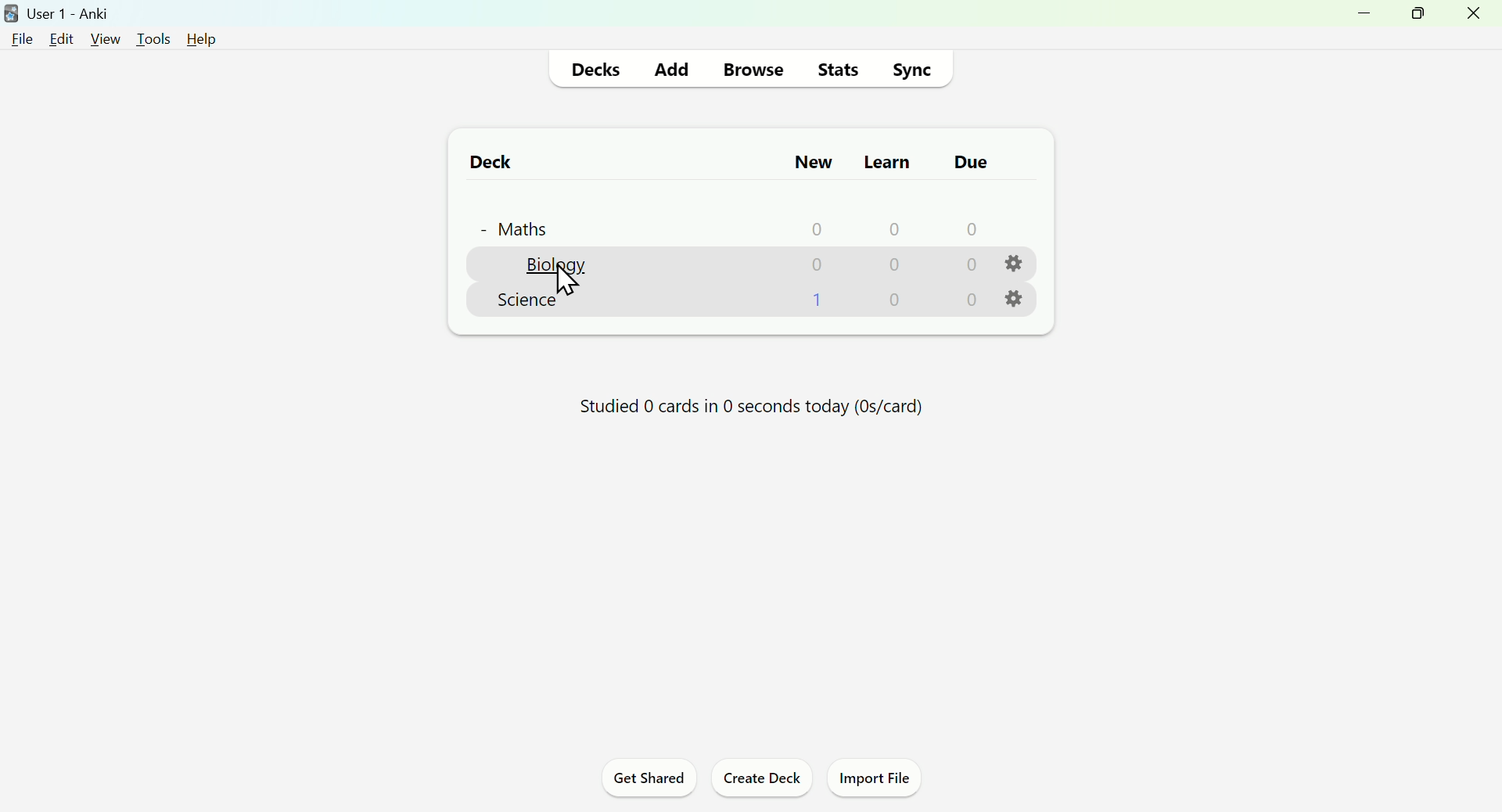  What do you see at coordinates (1017, 264) in the screenshot?
I see `Settings` at bounding box center [1017, 264].